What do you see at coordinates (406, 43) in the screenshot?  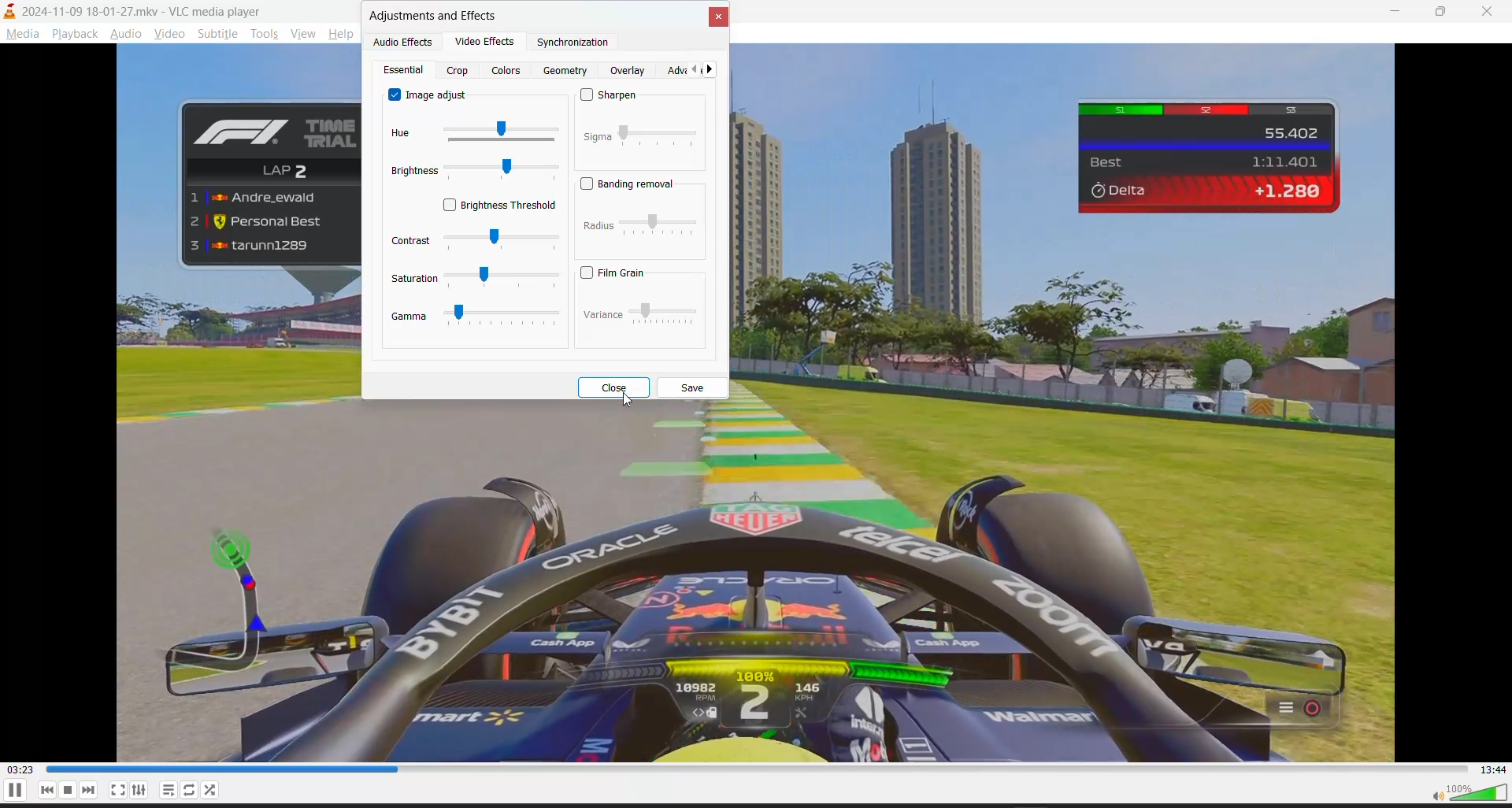 I see `audio effects` at bounding box center [406, 43].